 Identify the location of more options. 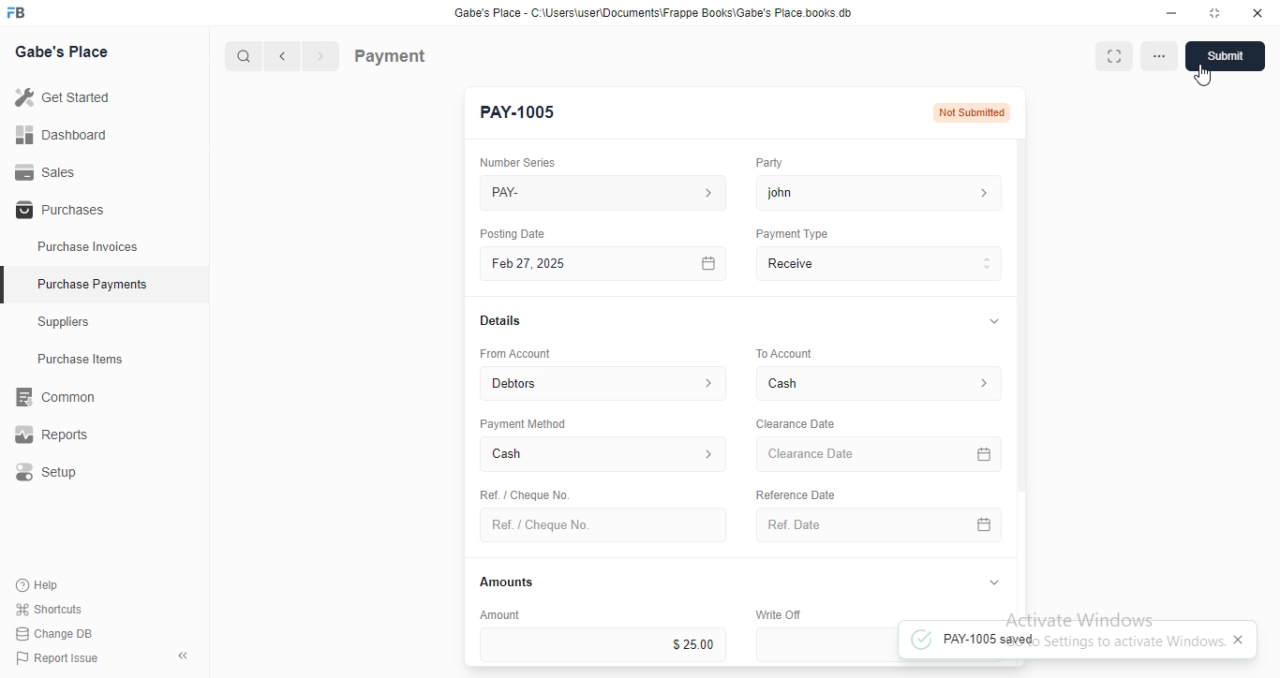
(1161, 58).